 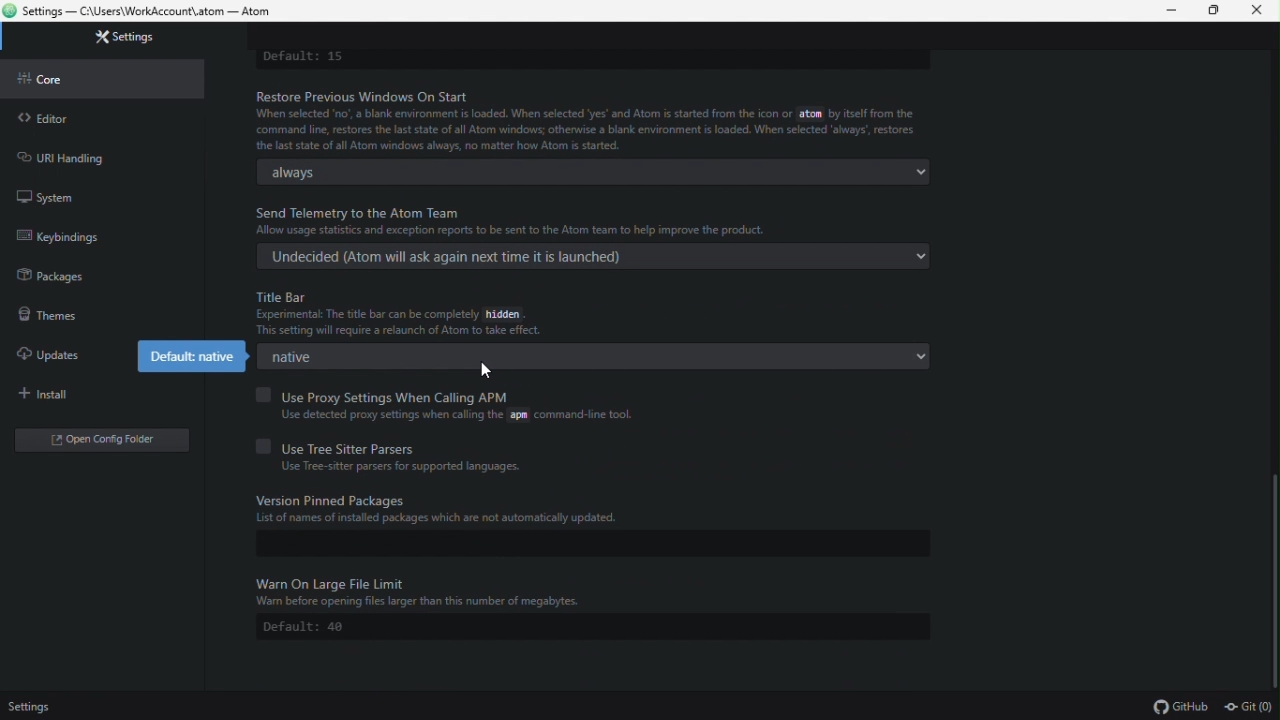 I want to click on updates, so click(x=58, y=350).